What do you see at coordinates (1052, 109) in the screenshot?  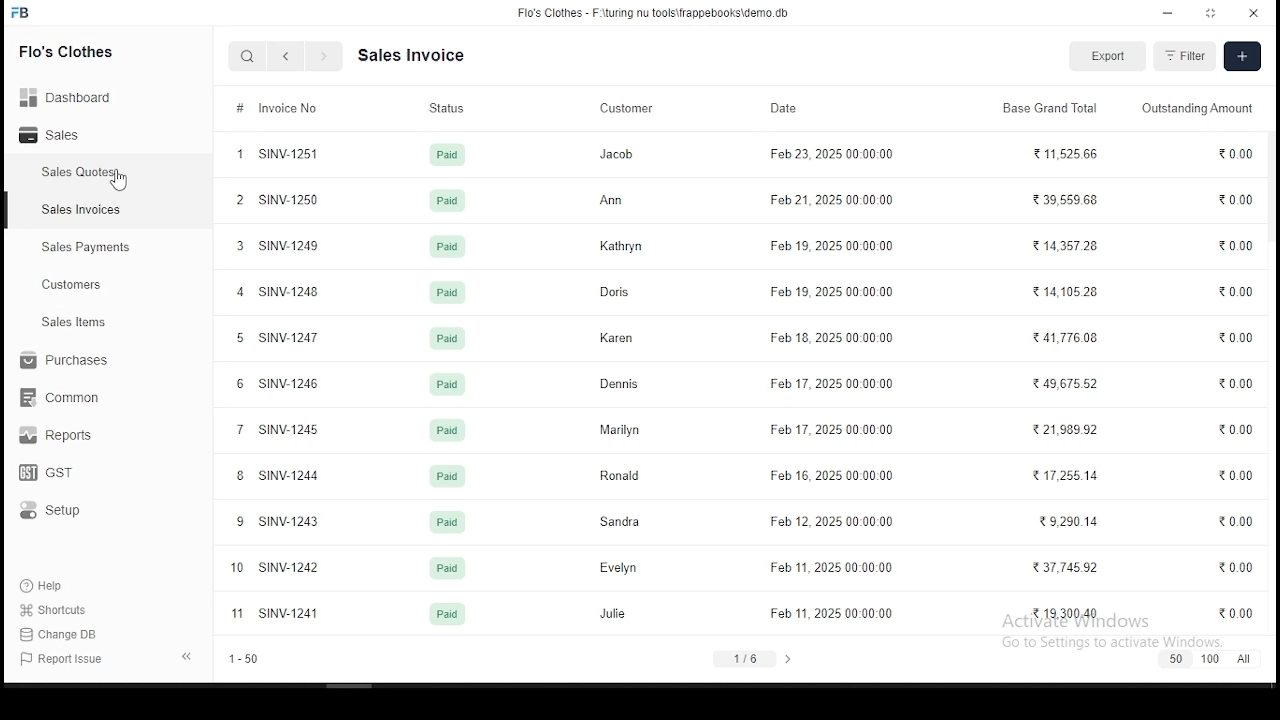 I see `base grand total` at bounding box center [1052, 109].